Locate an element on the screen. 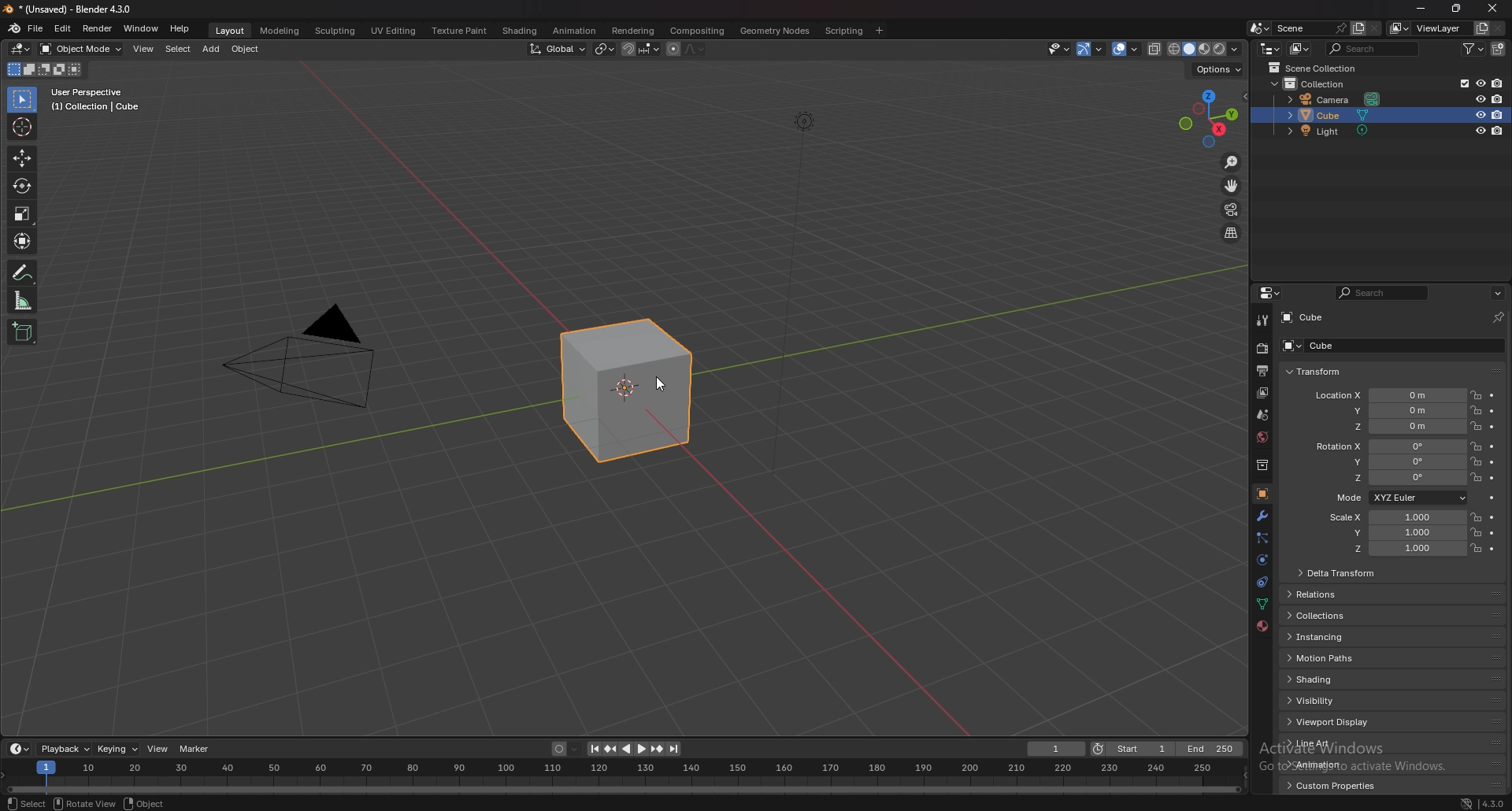  physics is located at coordinates (1262, 561).